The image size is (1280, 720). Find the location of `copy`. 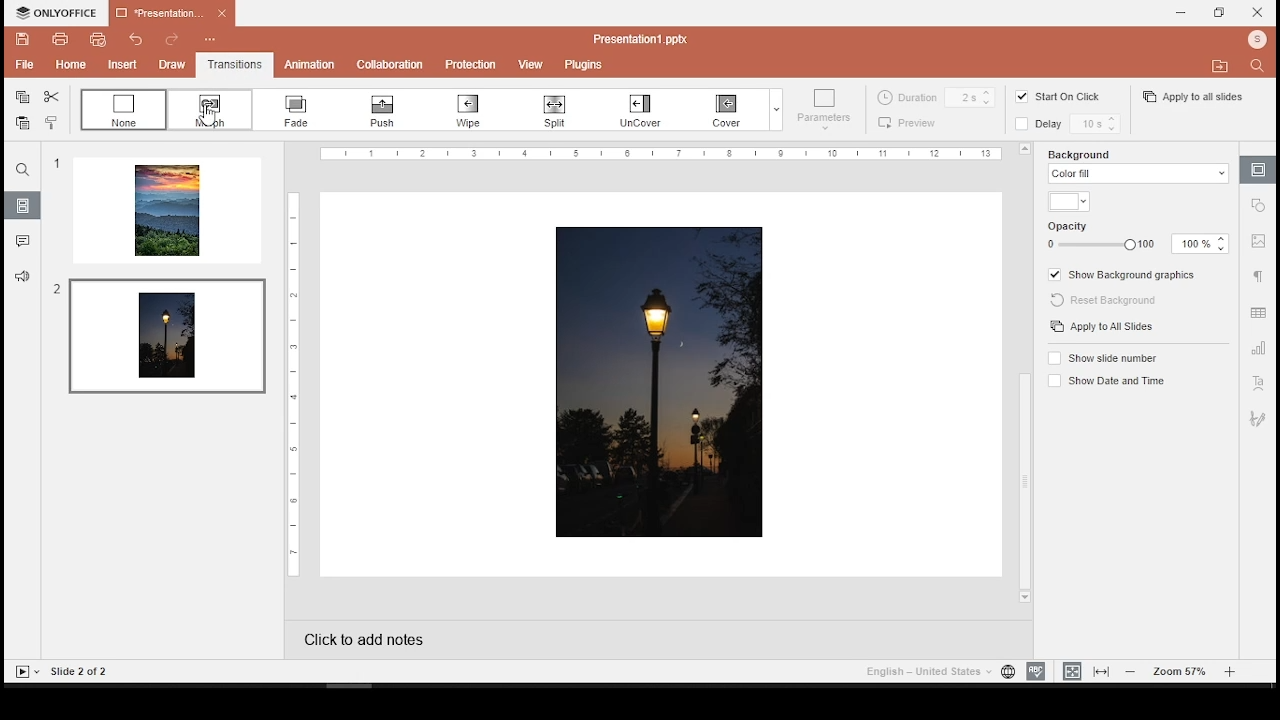

copy is located at coordinates (22, 97).